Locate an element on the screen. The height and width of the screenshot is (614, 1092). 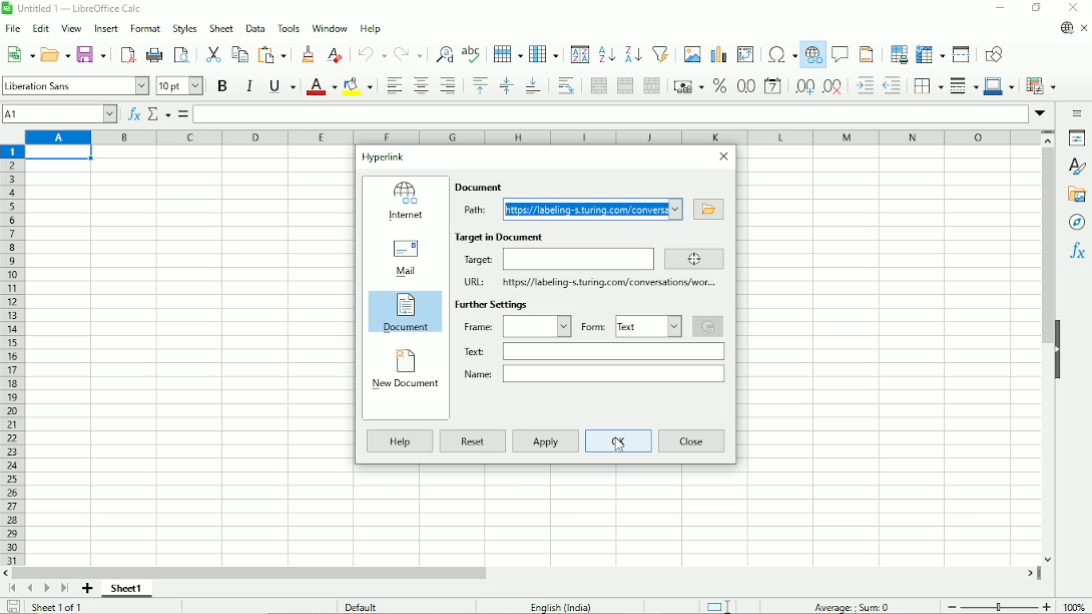
Average, sum 0 is located at coordinates (854, 607).